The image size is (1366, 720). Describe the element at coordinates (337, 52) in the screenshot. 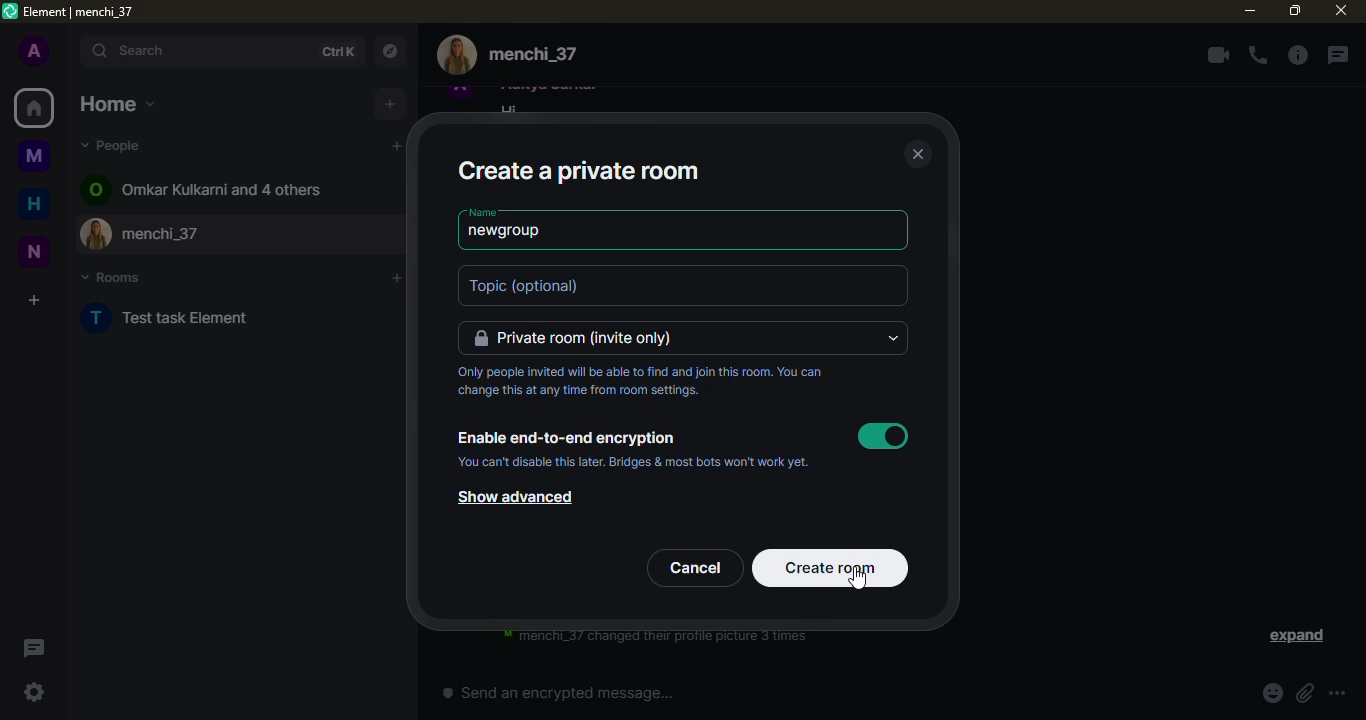

I see `ctrl K` at that location.